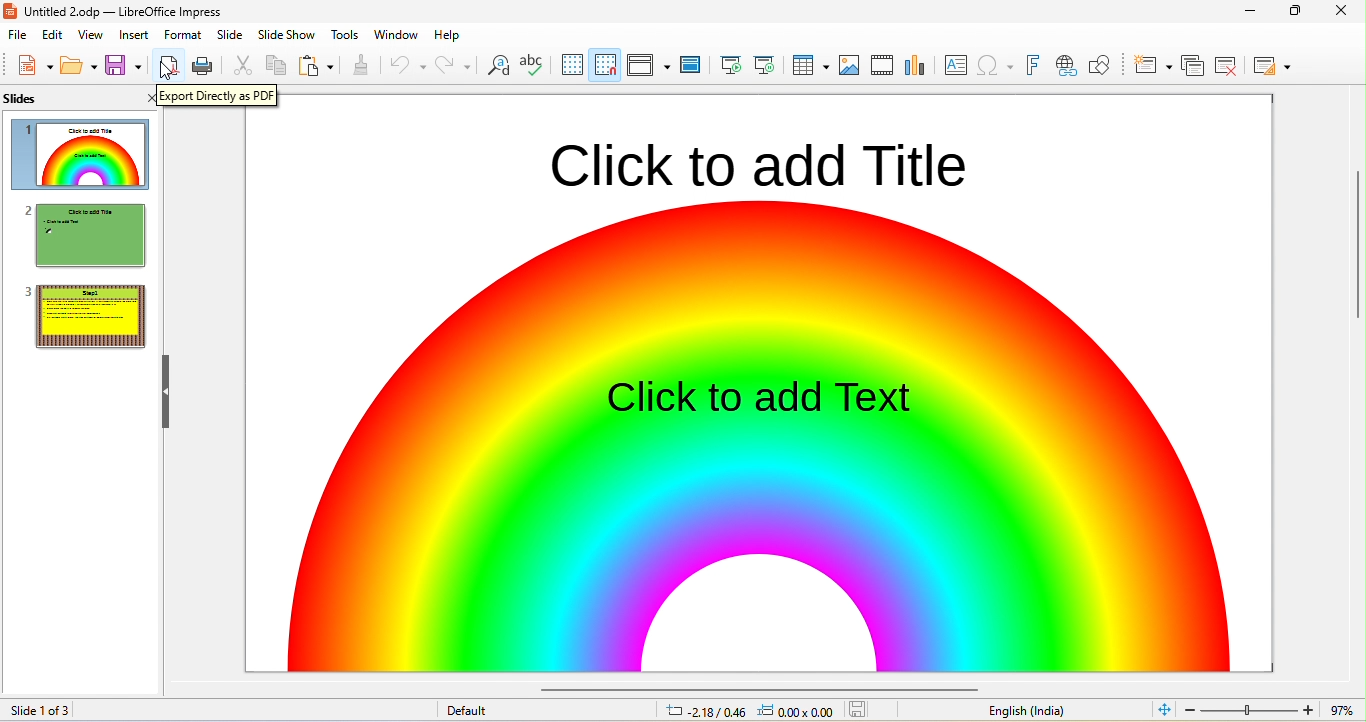 The width and height of the screenshot is (1366, 722). Describe the element at coordinates (1273, 708) in the screenshot. I see `zoom` at that location.